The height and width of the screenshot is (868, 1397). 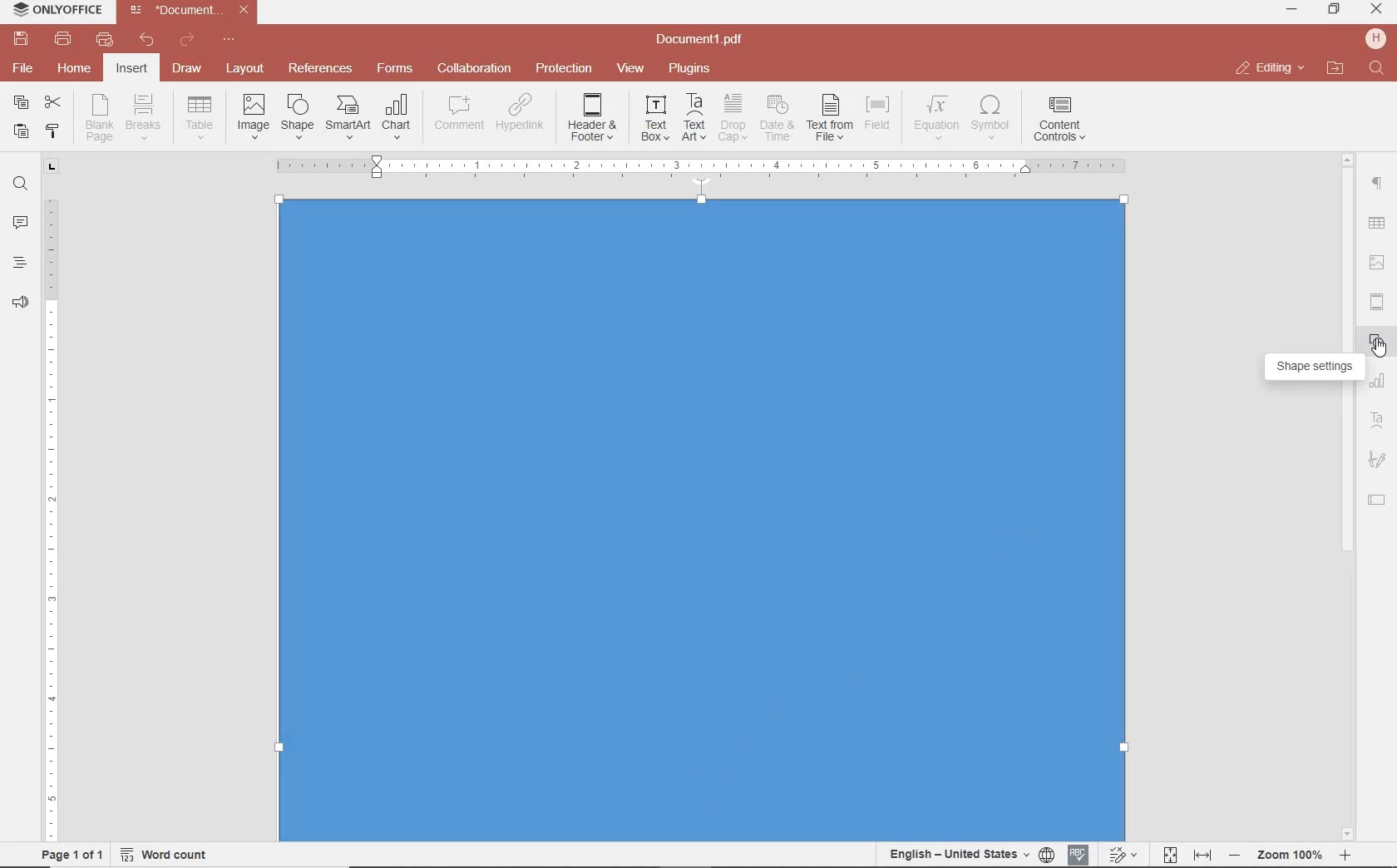 What do you see at coordinates (170, 855) in the screenshot?
I see `word count` at bounding box center [170, 855].